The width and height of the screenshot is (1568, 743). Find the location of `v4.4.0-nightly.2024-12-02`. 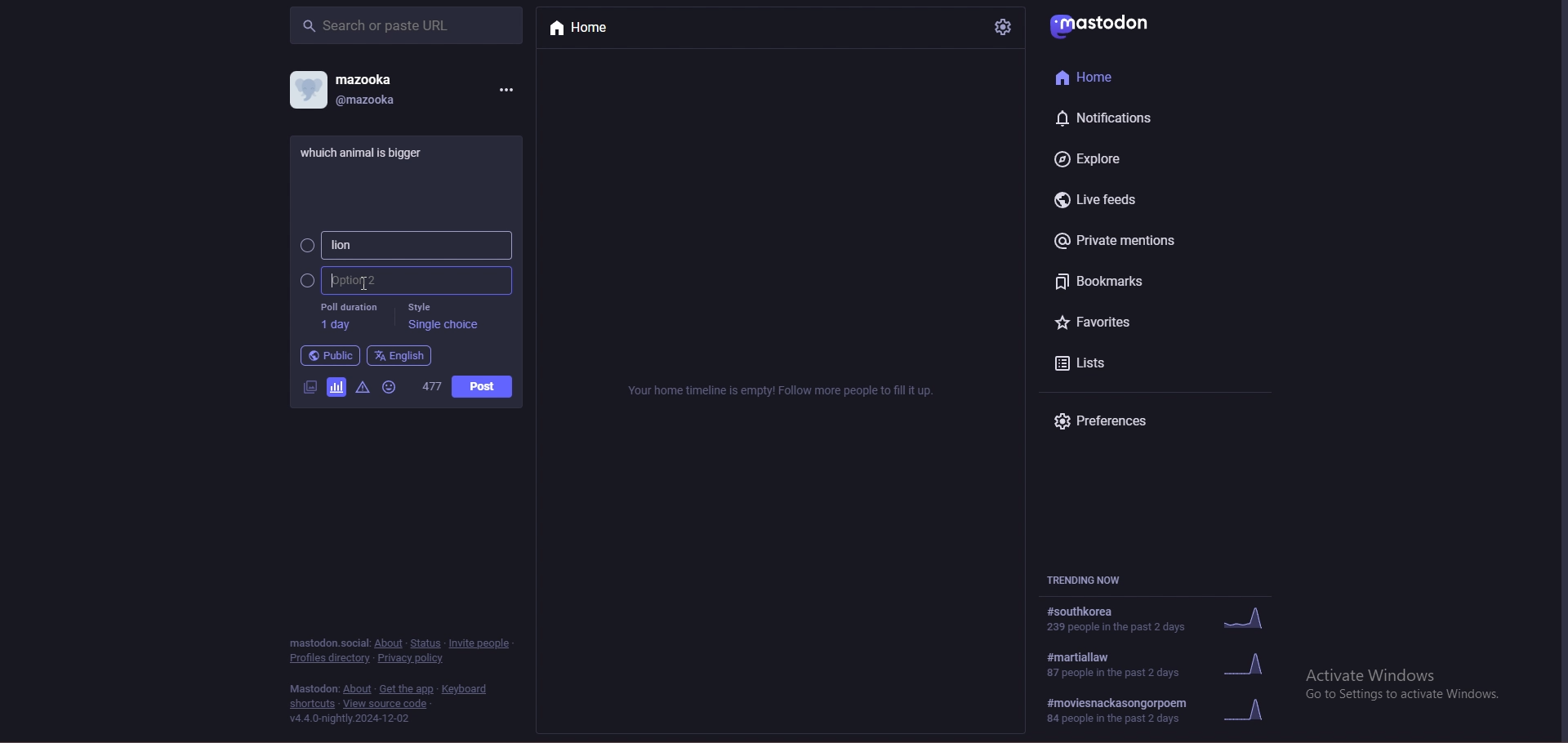

v4.4.0-nightly.2024-12-02 is located at coordinates (350, 719).